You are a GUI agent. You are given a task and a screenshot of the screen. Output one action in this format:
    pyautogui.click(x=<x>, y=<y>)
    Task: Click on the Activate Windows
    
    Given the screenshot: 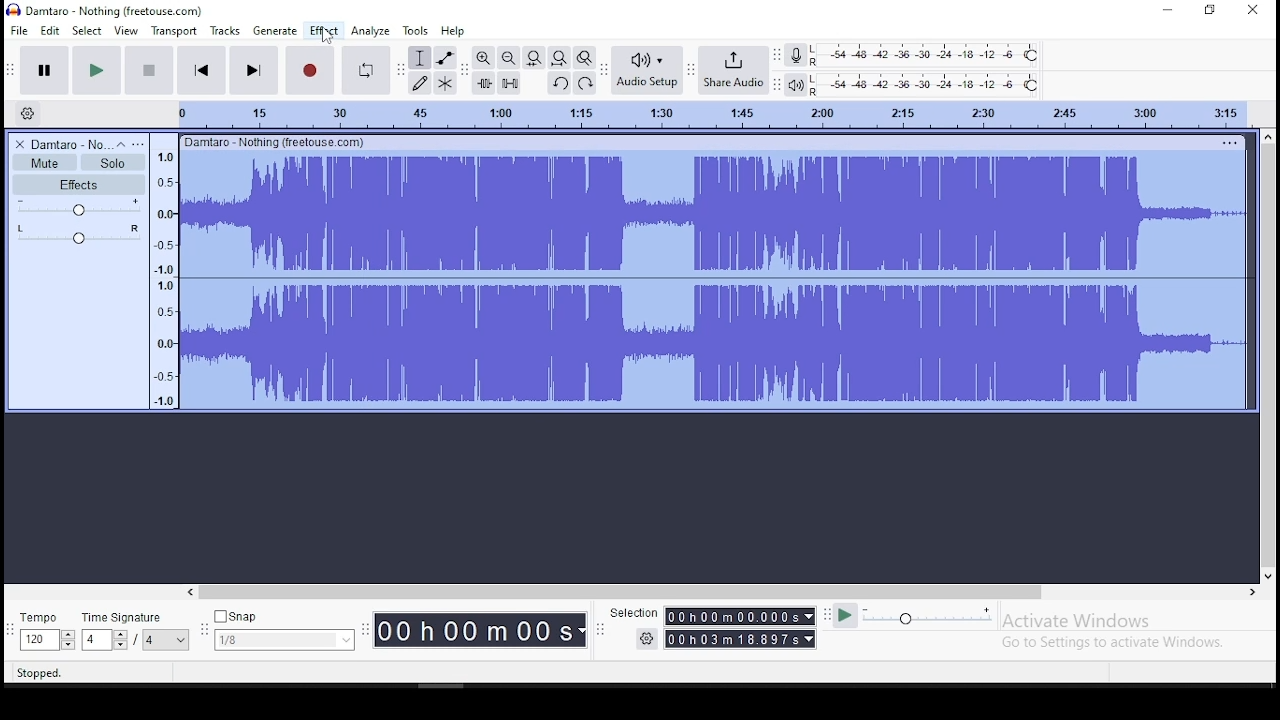 What is the action you would take?
    pyautogui.click(x=1077, y=621)
    